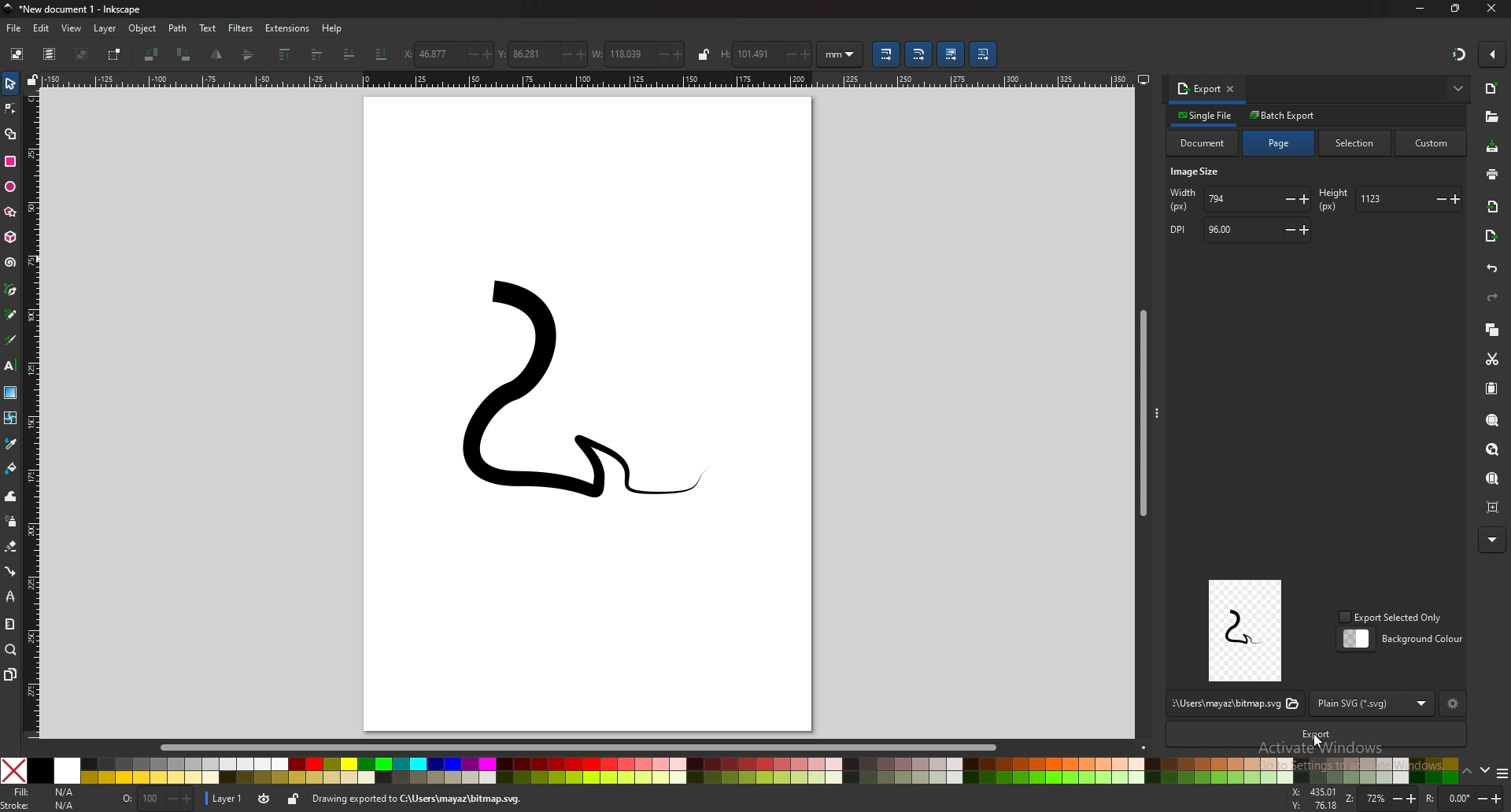  Describe the element at coordinates (1232, 88) in the screenshot. I see `close tab` at that location.